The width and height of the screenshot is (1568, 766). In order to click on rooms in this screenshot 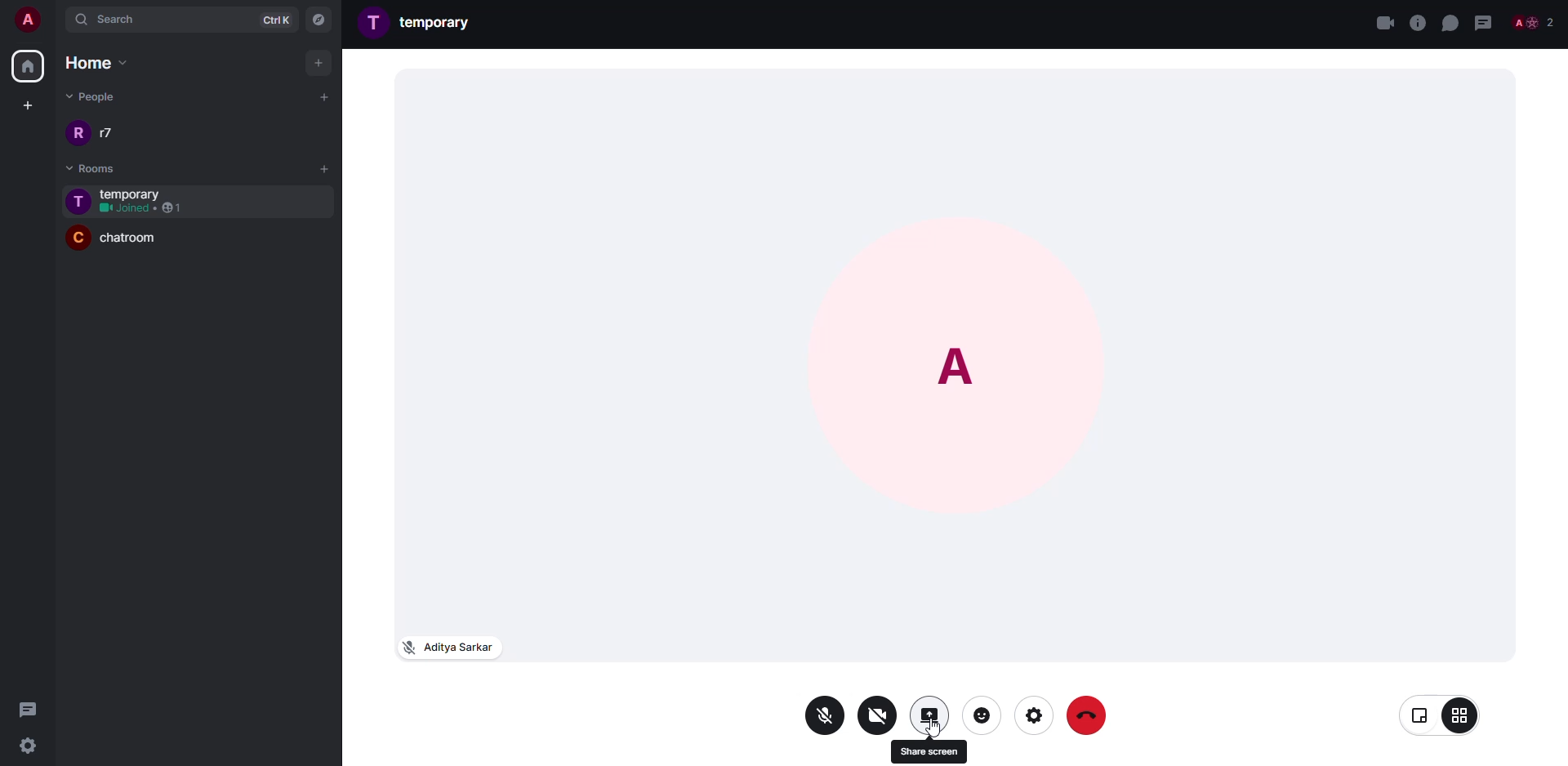, I will do `click(82, 168)`.